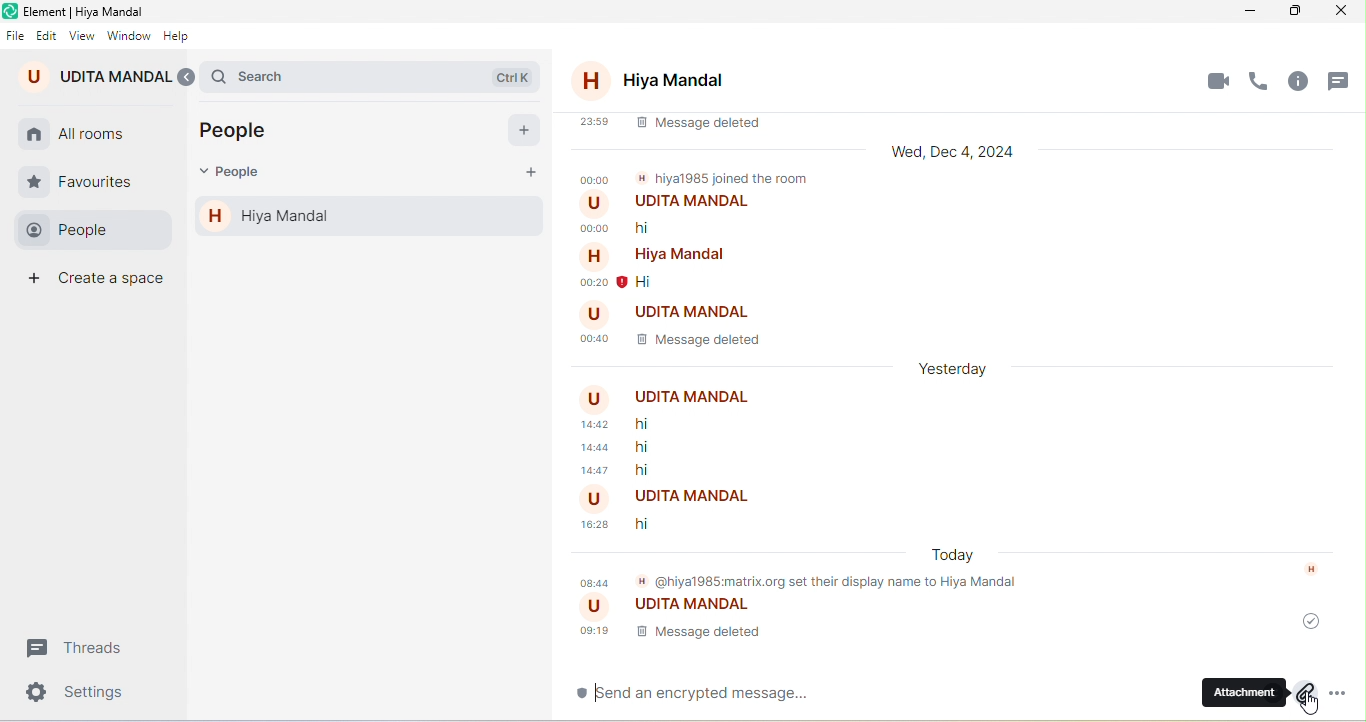 The width and height of the screenshot is (1366, 722). What do you see at coordinates (655, 82) in the screenshot?
I see `hiya mandal` at bounding box center [655, 82].